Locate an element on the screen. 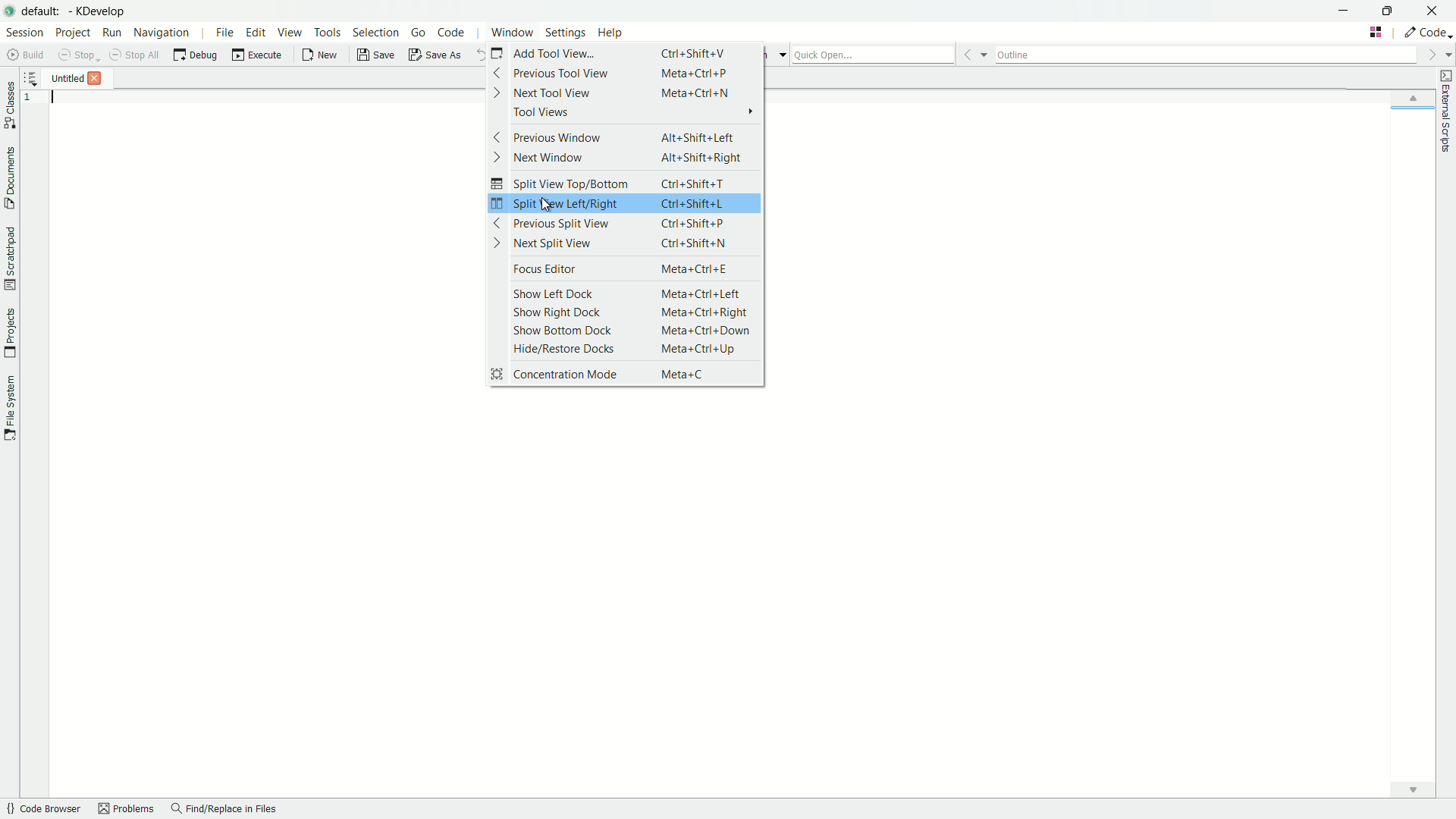 The image size is (1456, 819). execute actions to change the area is located at coordinates (1428, 34).